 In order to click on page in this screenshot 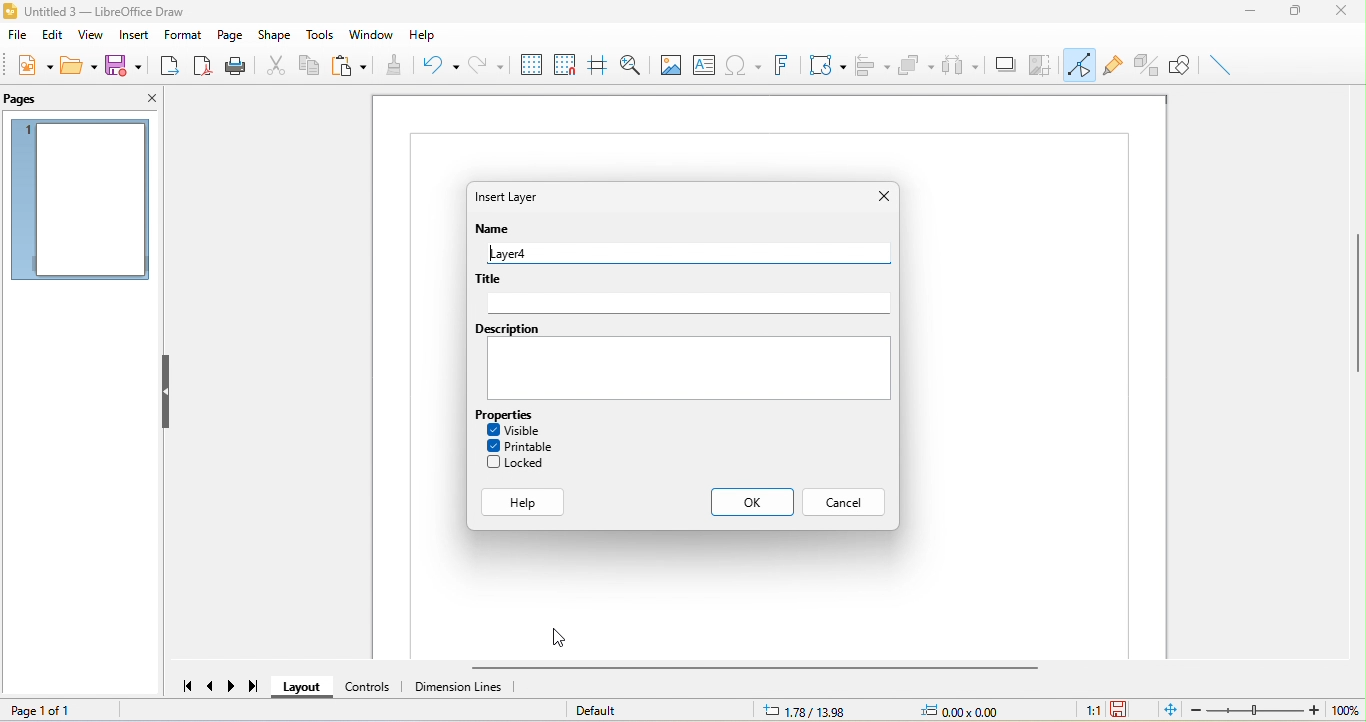, I will do `click(229, 35)`.